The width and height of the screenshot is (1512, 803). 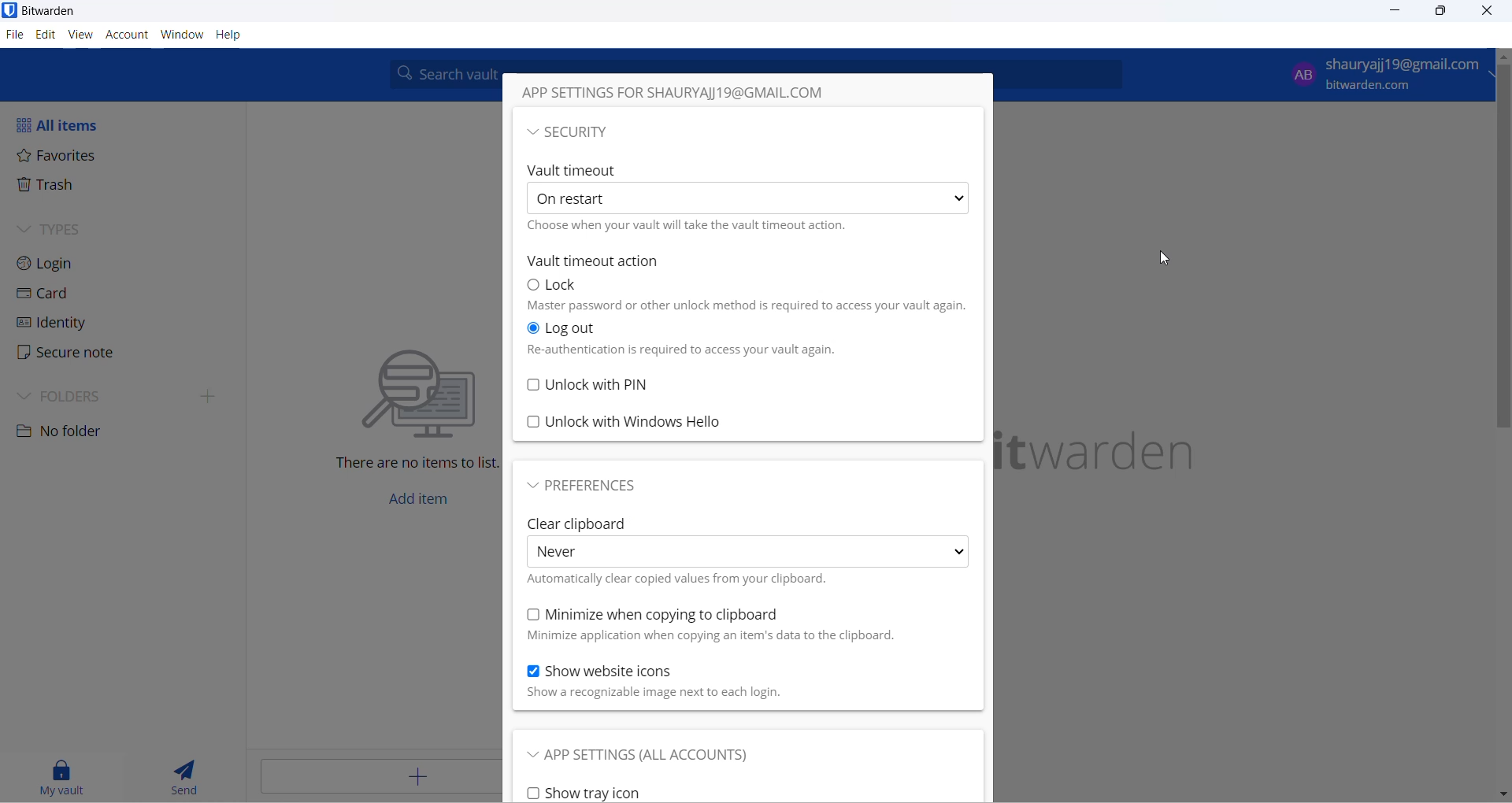 What do you see at coordinates (61, 189) in the screenshot?
I see `Trash` at bounding box center [61, 189].